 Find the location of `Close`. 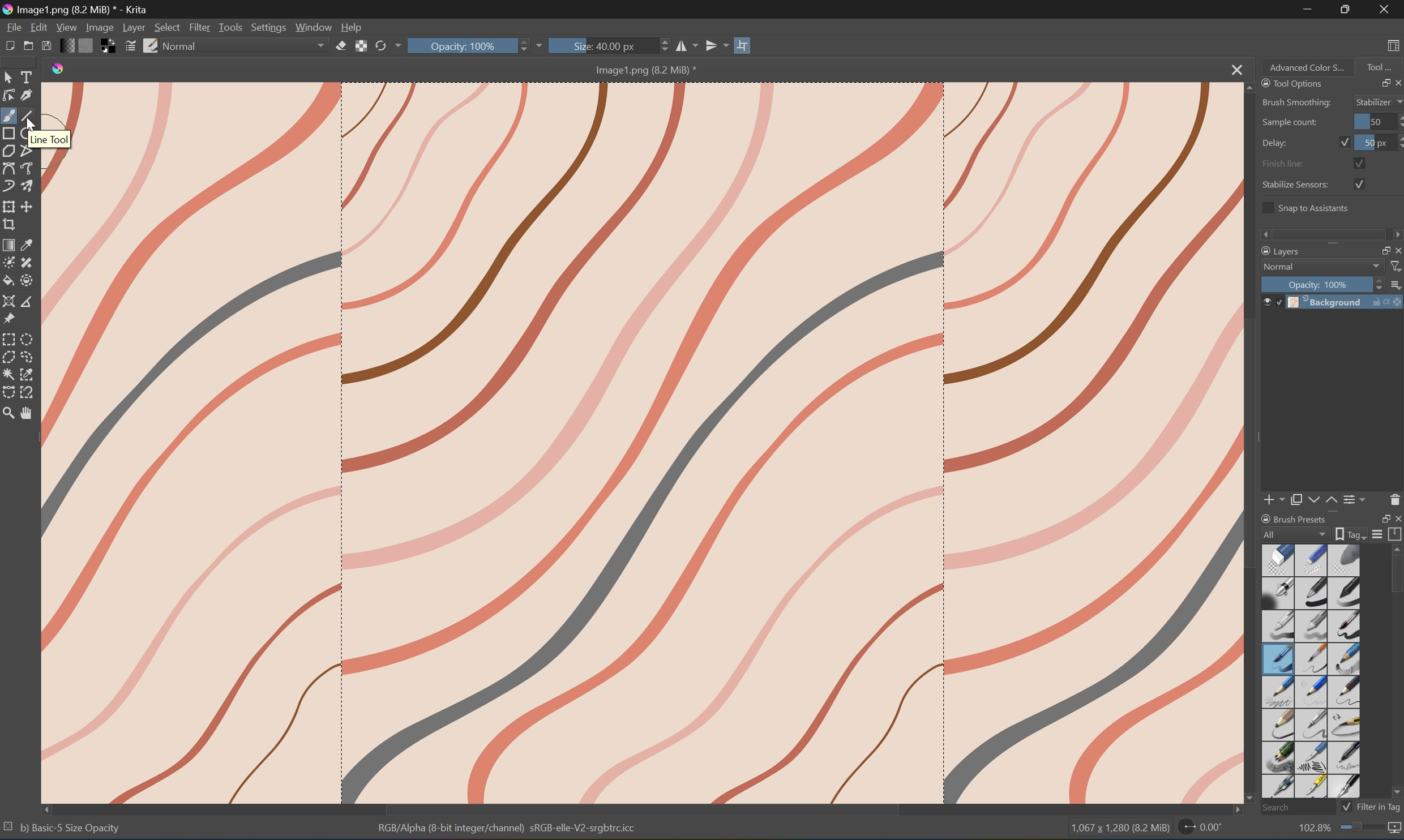

Close is located at coordinates (1395, 83).